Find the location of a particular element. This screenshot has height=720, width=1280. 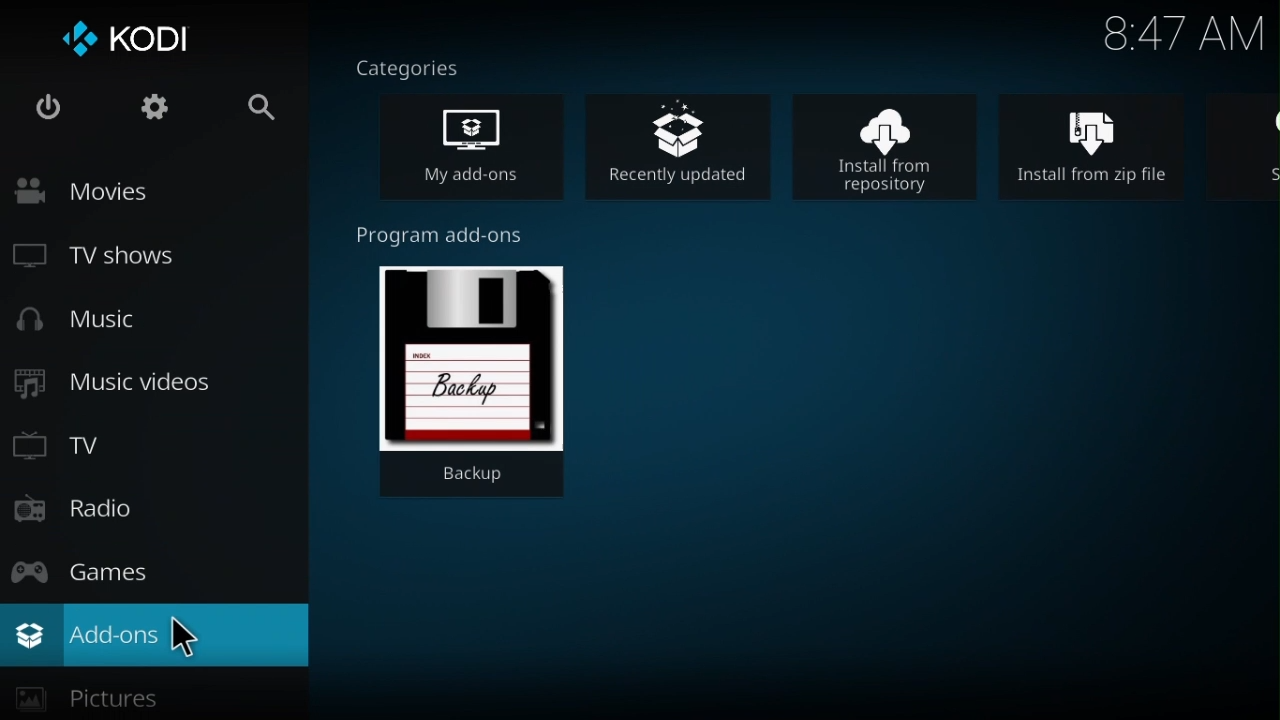

Radio  is located at coordinates (81, 512).